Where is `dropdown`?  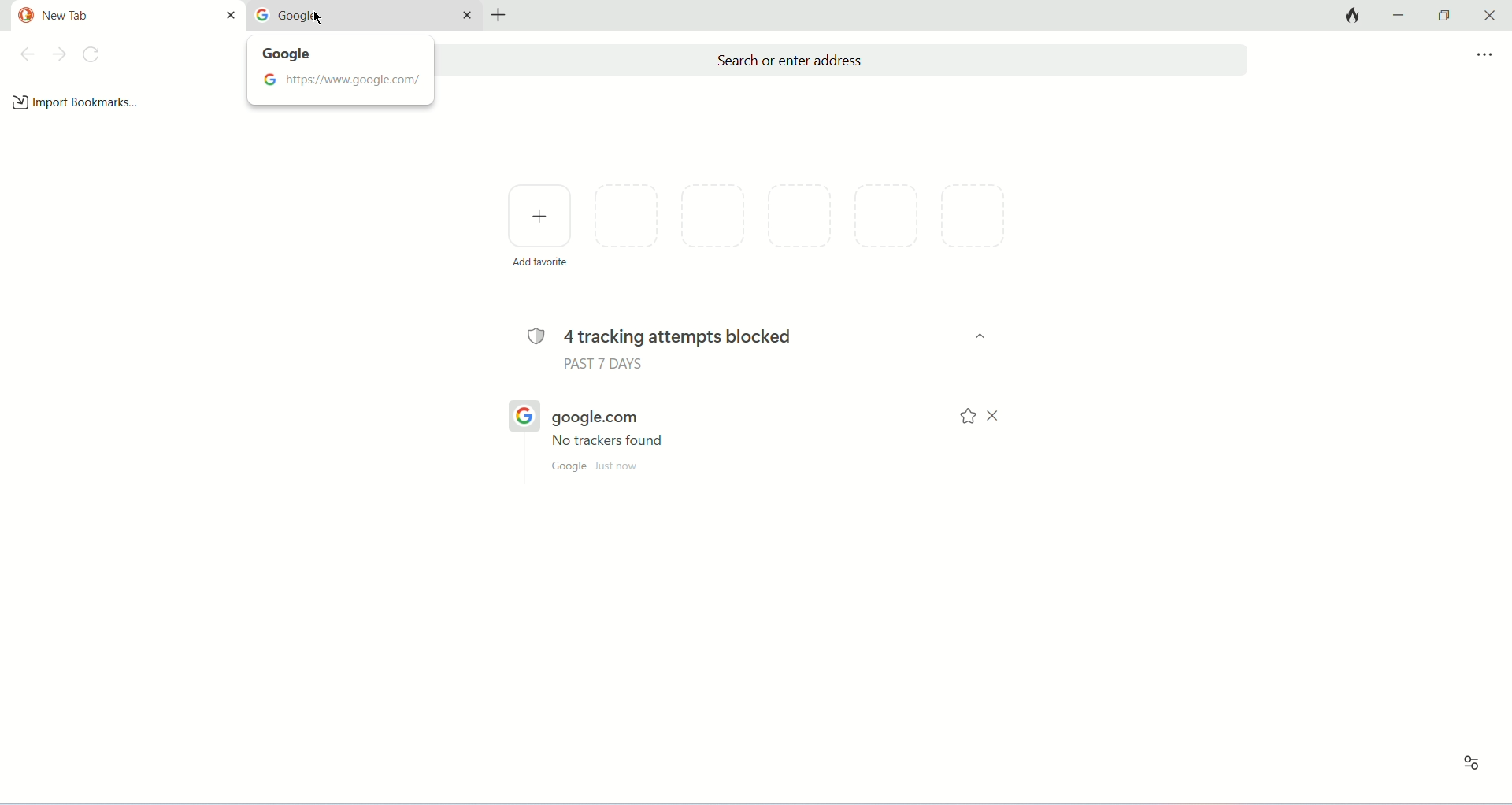 dropdown is located at coordinates (974, 337).